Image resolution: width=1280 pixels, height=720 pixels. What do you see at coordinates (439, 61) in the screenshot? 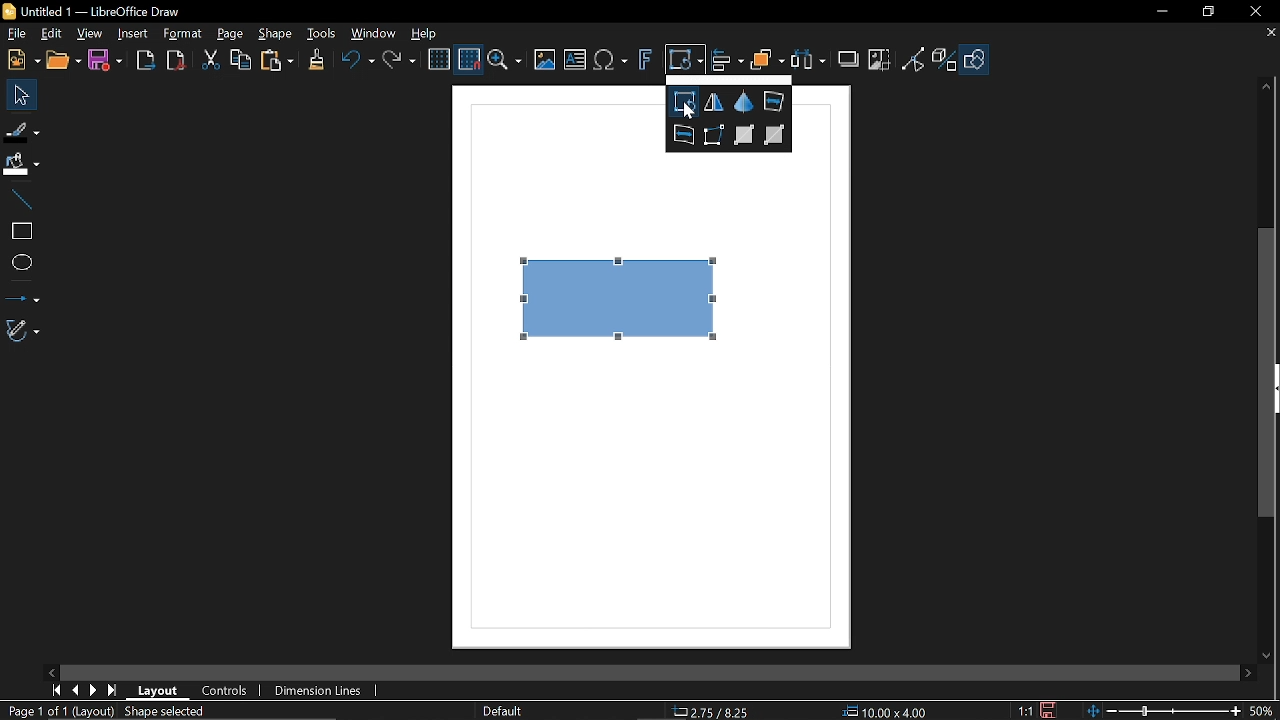
I see `Display grid` at bounding box center [439, 61].